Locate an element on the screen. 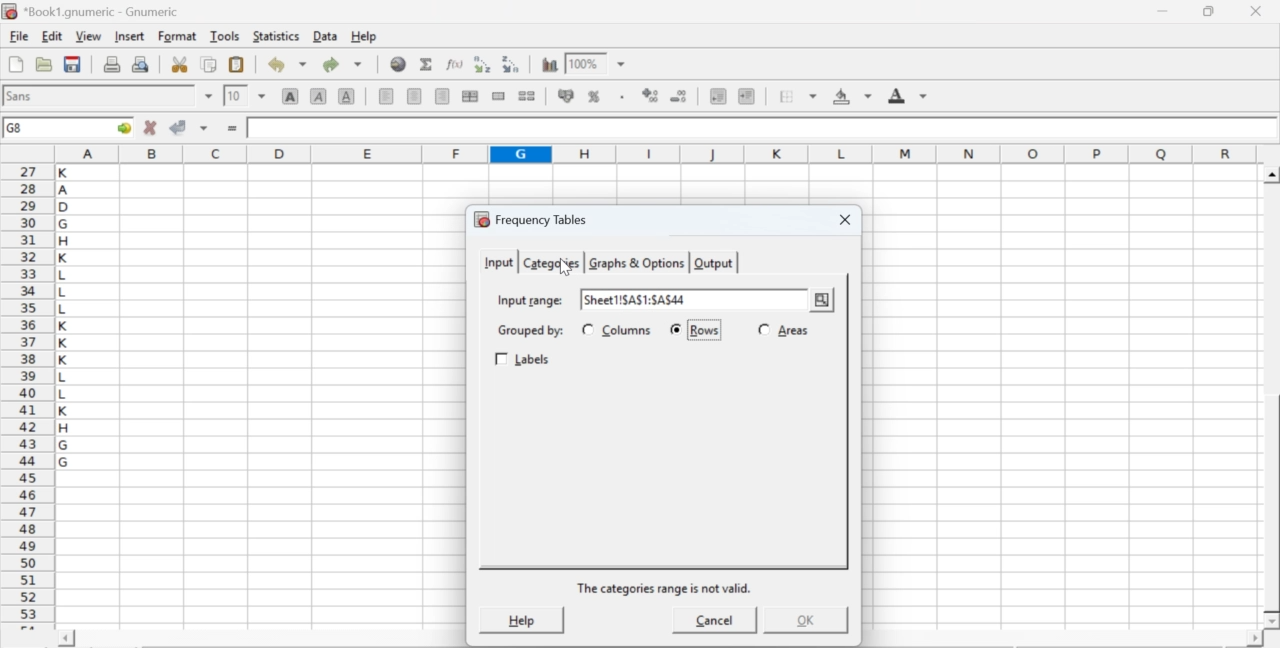 Image resolution: width=1280 pixels, height=648 pixels. output is located at coordinates (714, 263).